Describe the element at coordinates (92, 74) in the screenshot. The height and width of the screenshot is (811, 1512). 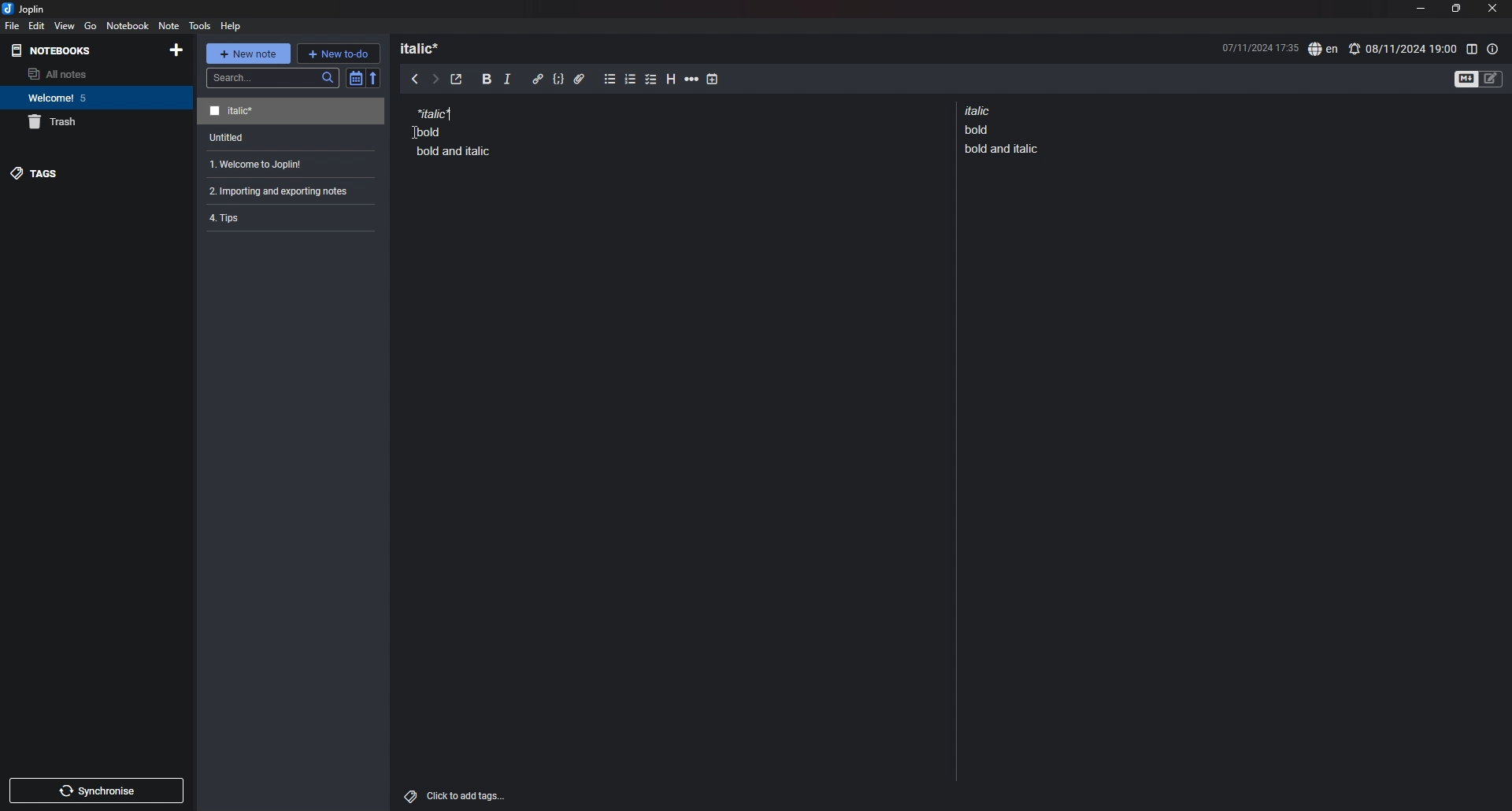
I see `all notes` at that location.